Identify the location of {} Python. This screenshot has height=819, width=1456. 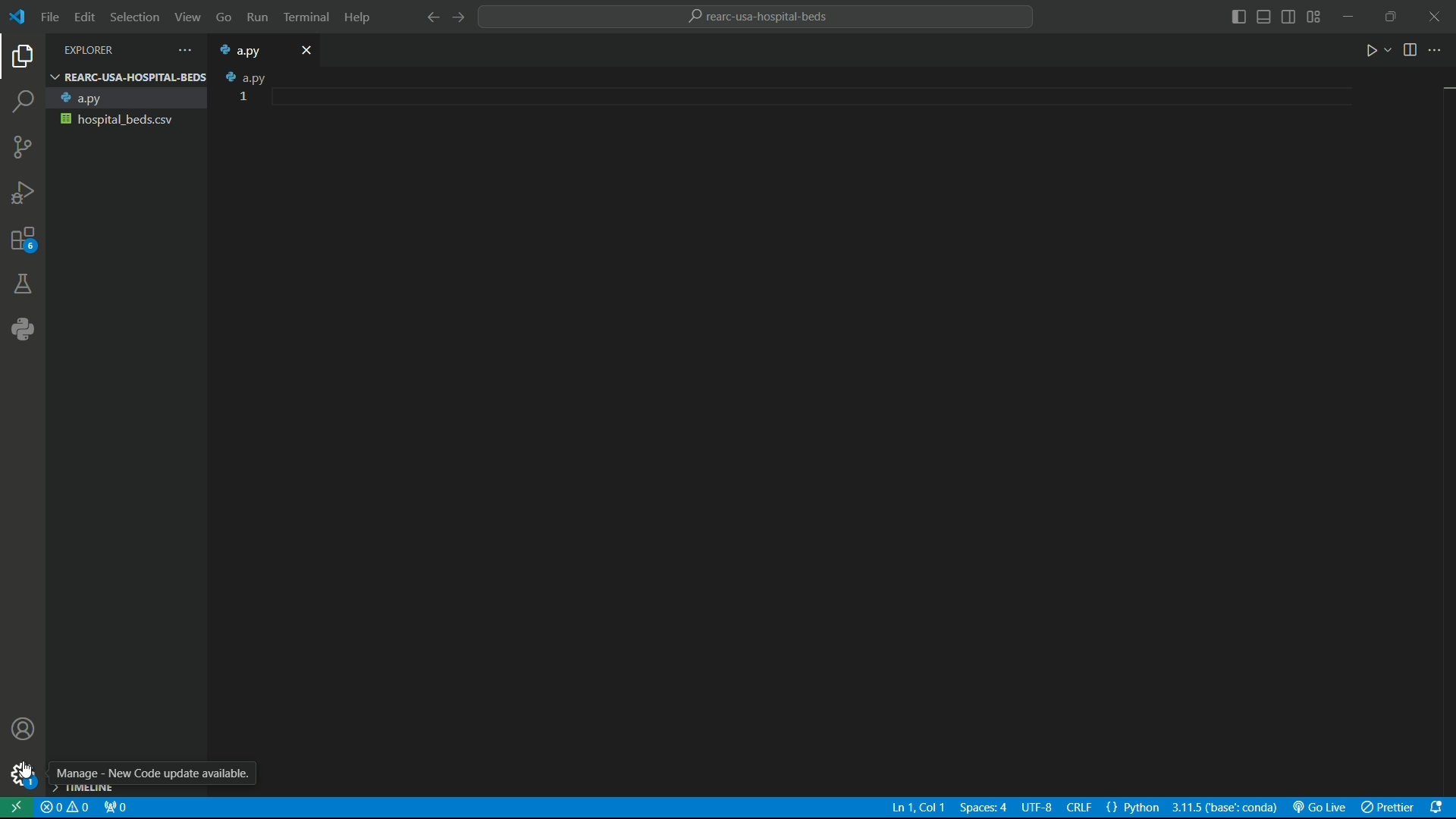
(1134, 808).